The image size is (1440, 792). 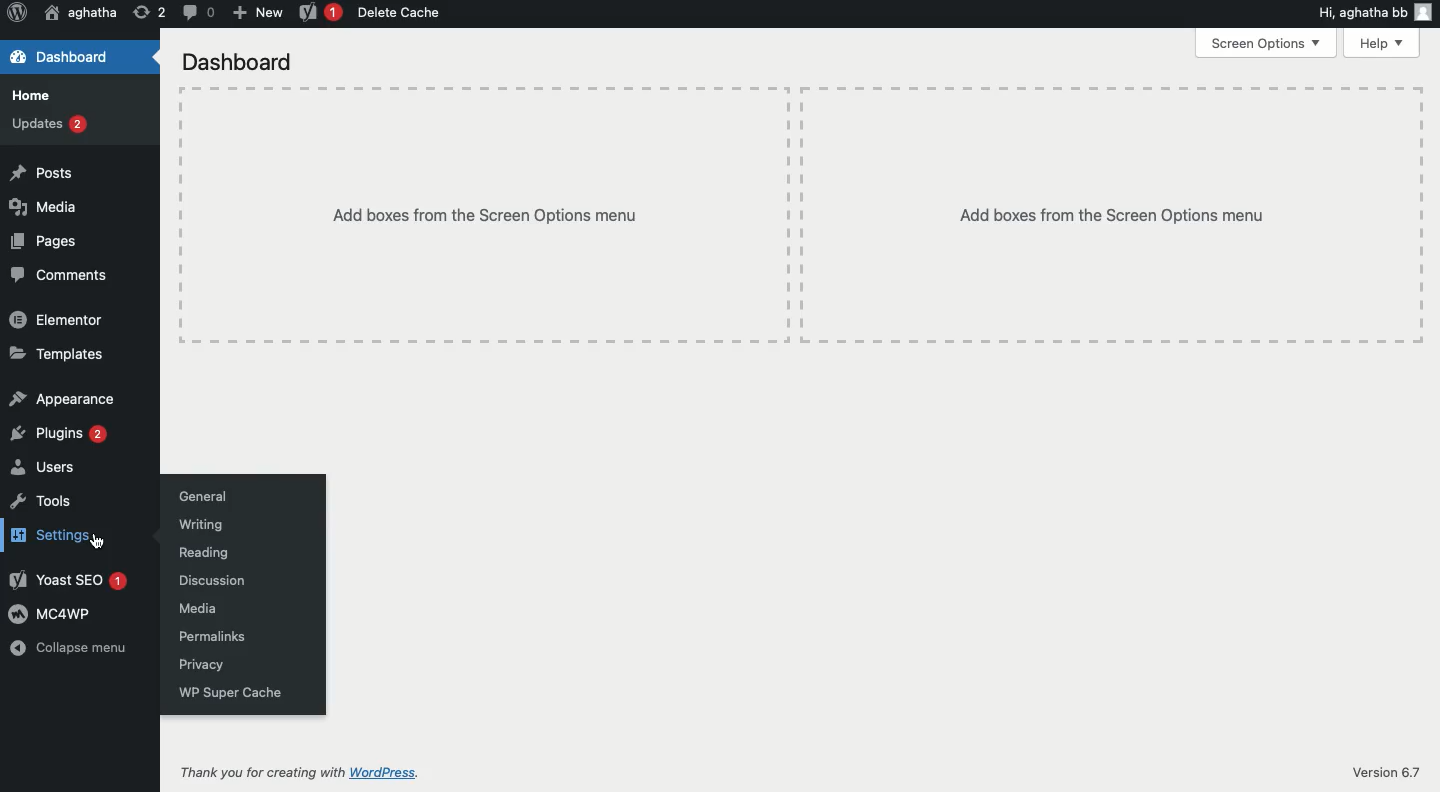 What do you see at coordinates (146, 15) in the screenshot?
I see `Revision` at bounding box center [146, 15].